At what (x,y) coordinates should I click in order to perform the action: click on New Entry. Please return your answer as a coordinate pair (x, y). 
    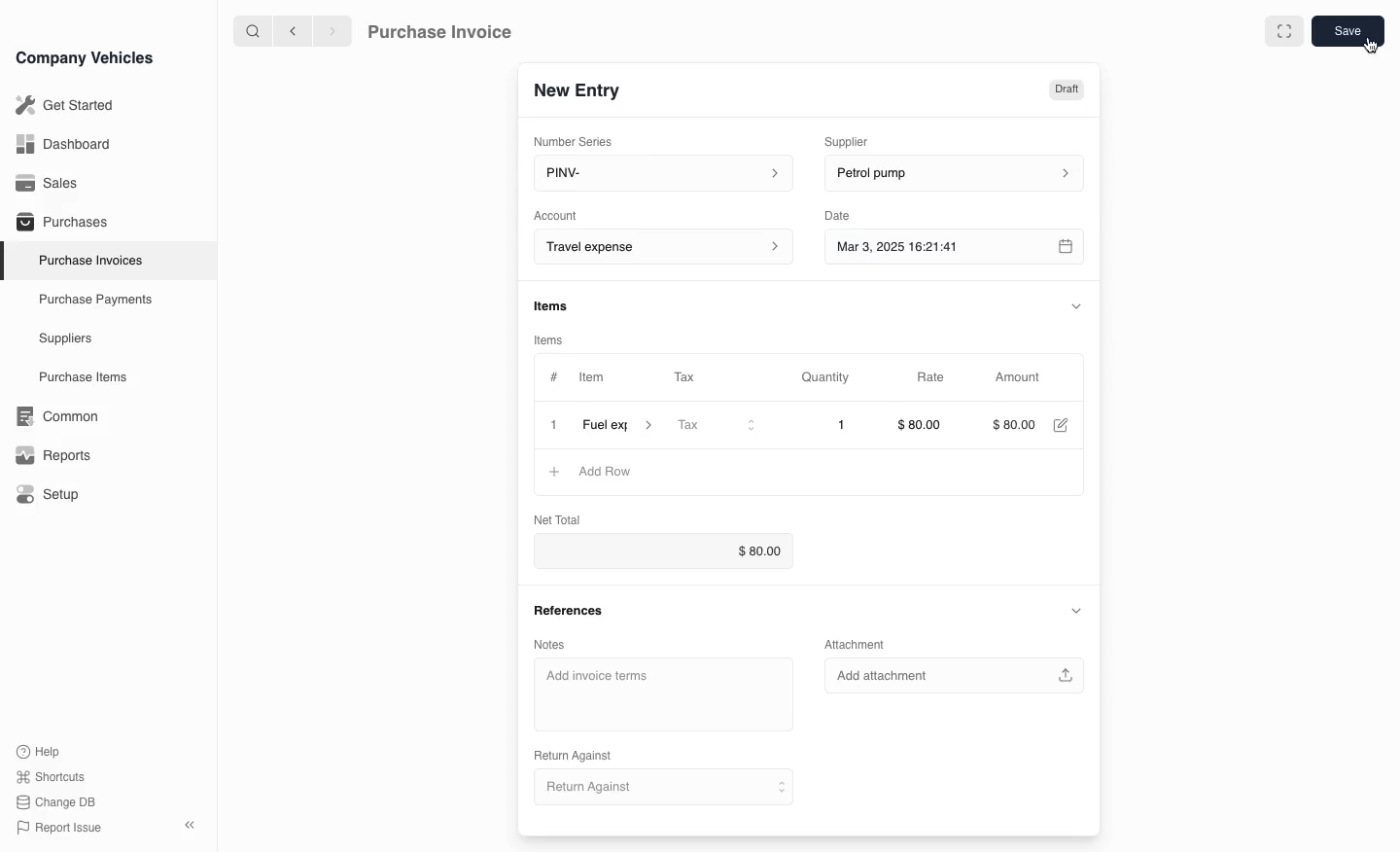
    Looking at the image, I should click on (586, 89).